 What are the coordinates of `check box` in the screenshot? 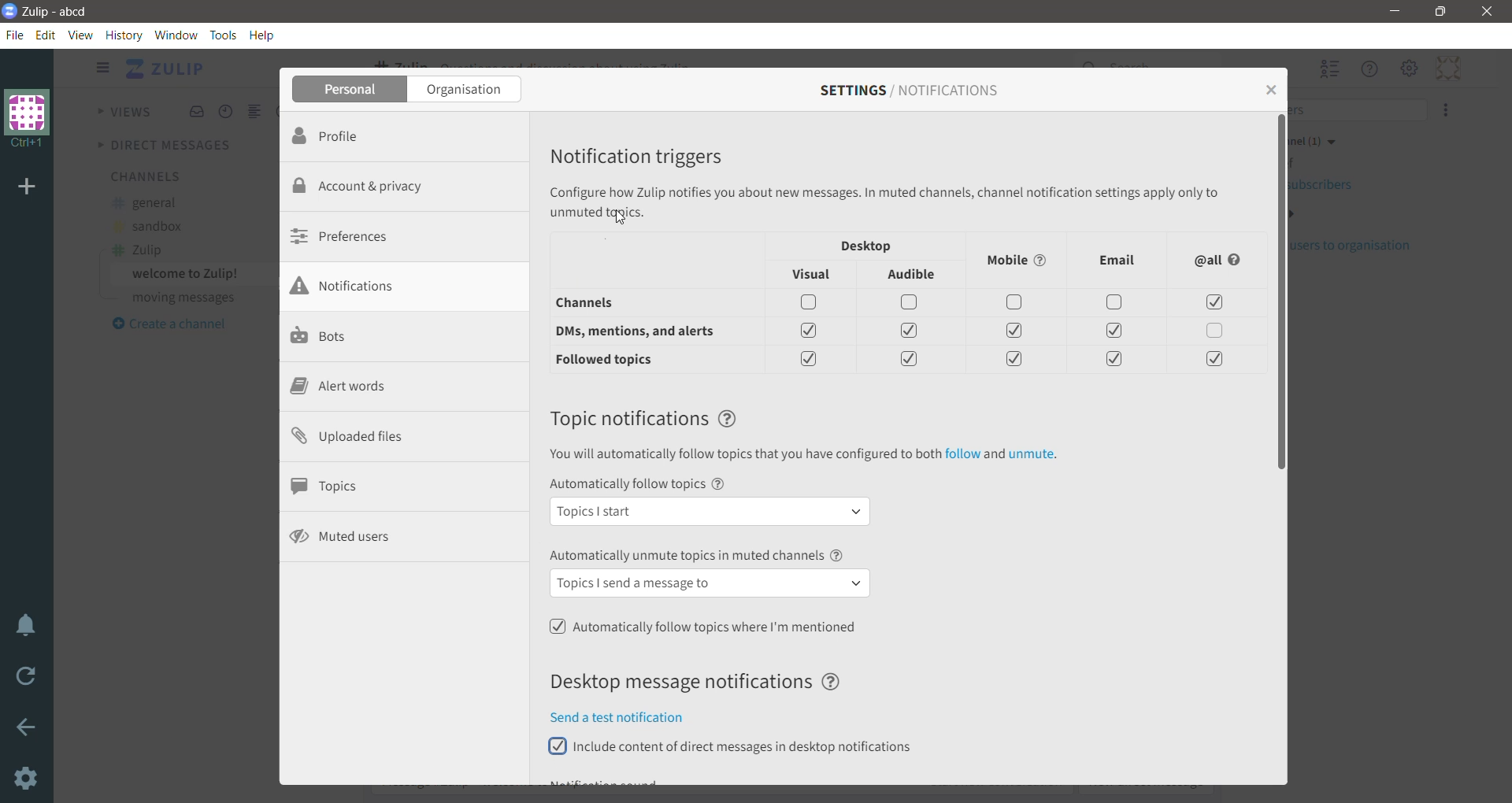 It's located at (1114, 360).